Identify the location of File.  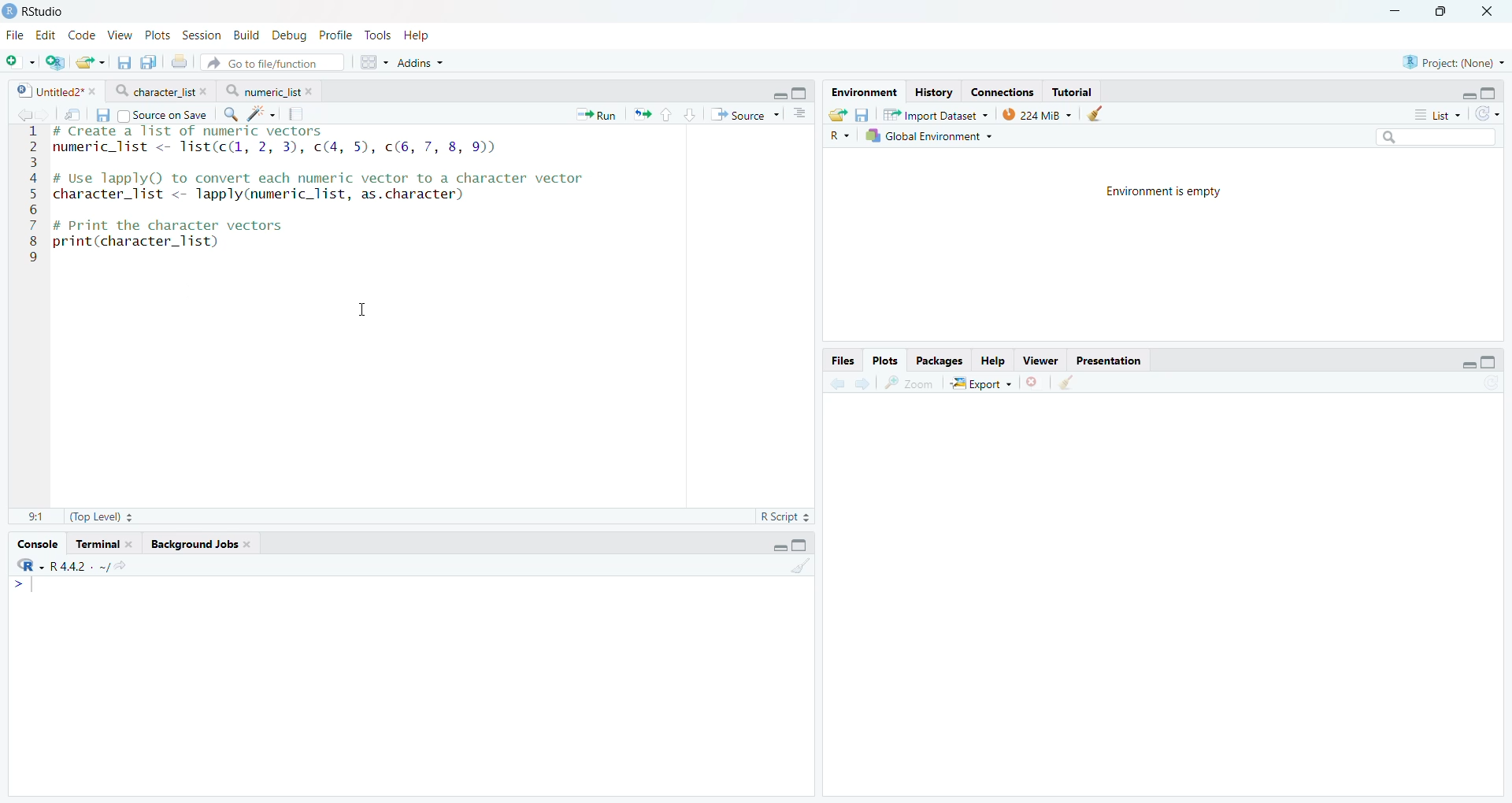
(17, 35).